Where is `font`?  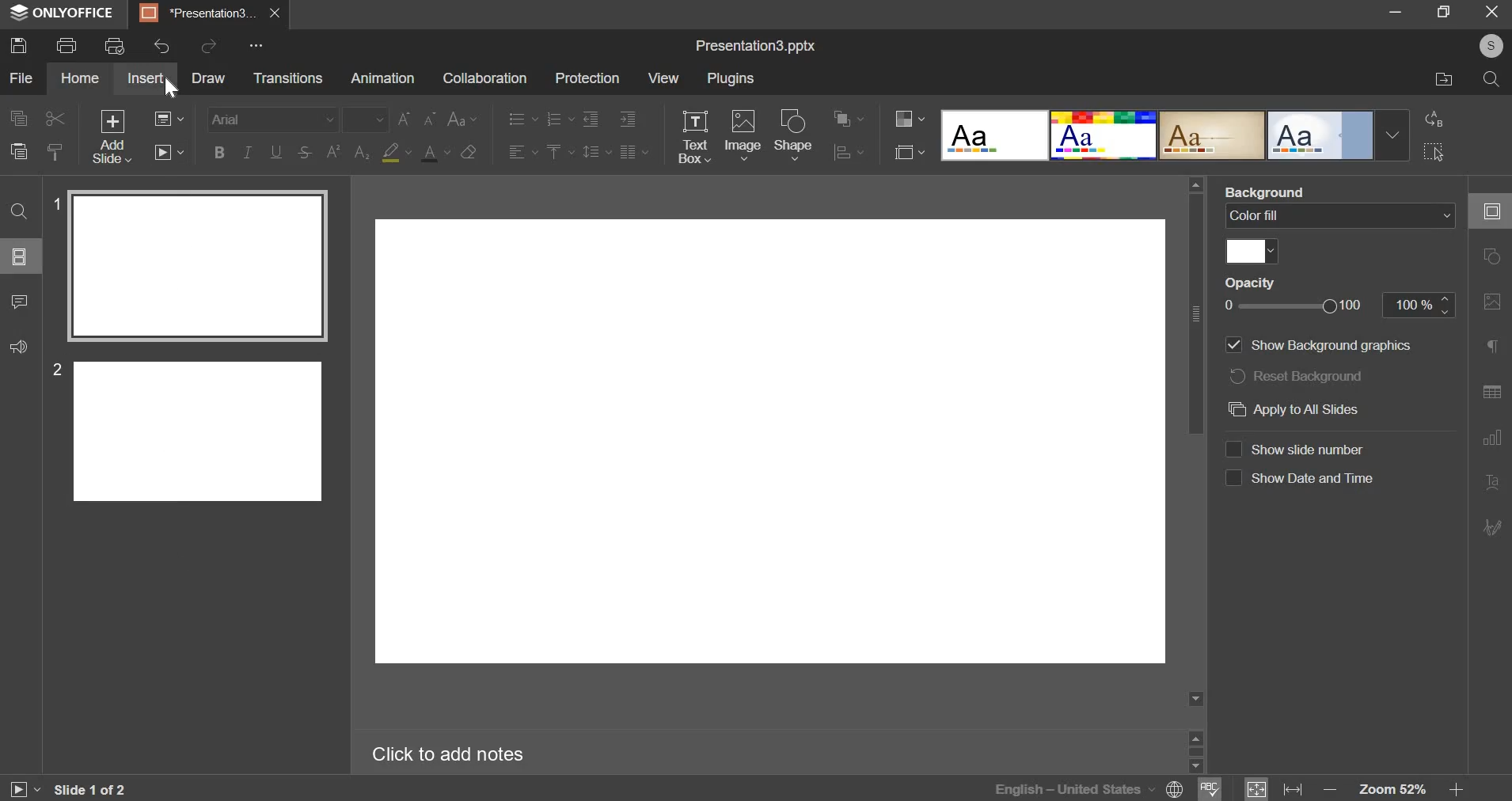 font is located at coordinates (272, 118).